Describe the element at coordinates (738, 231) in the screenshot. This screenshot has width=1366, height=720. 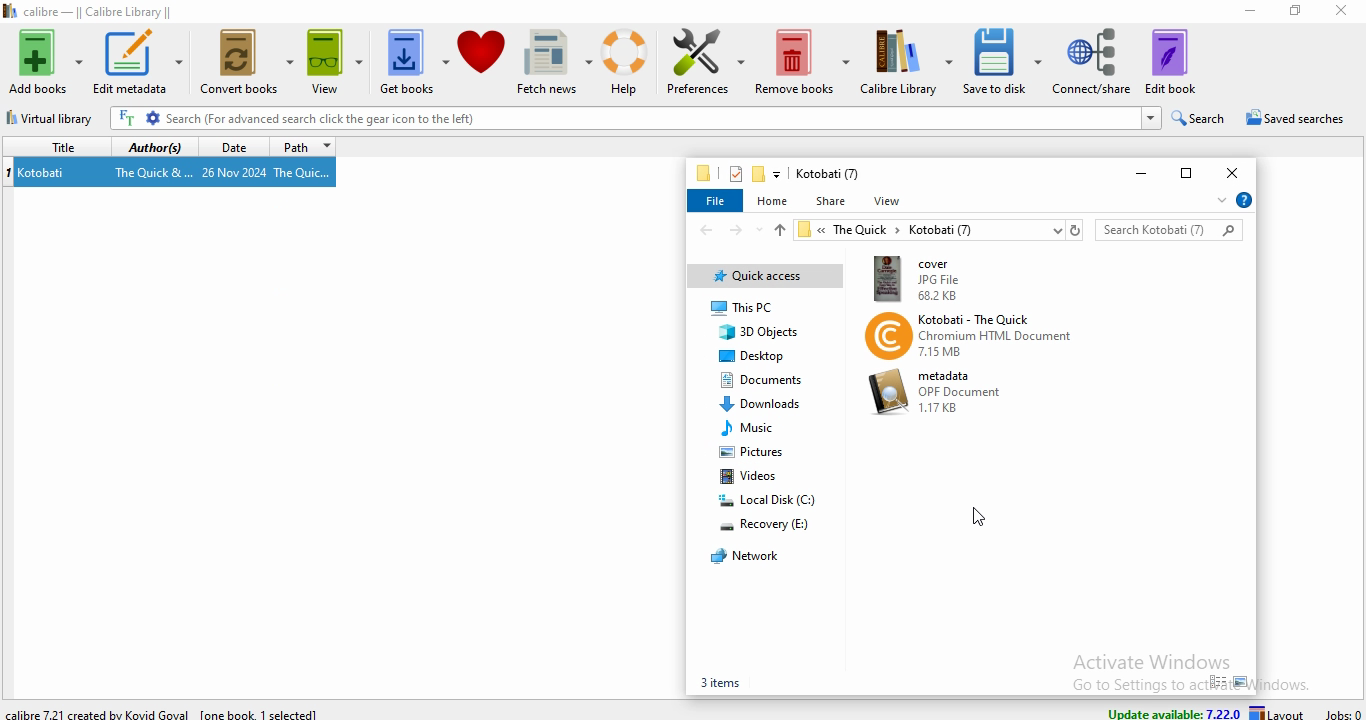
I see `forward file path` at that location.